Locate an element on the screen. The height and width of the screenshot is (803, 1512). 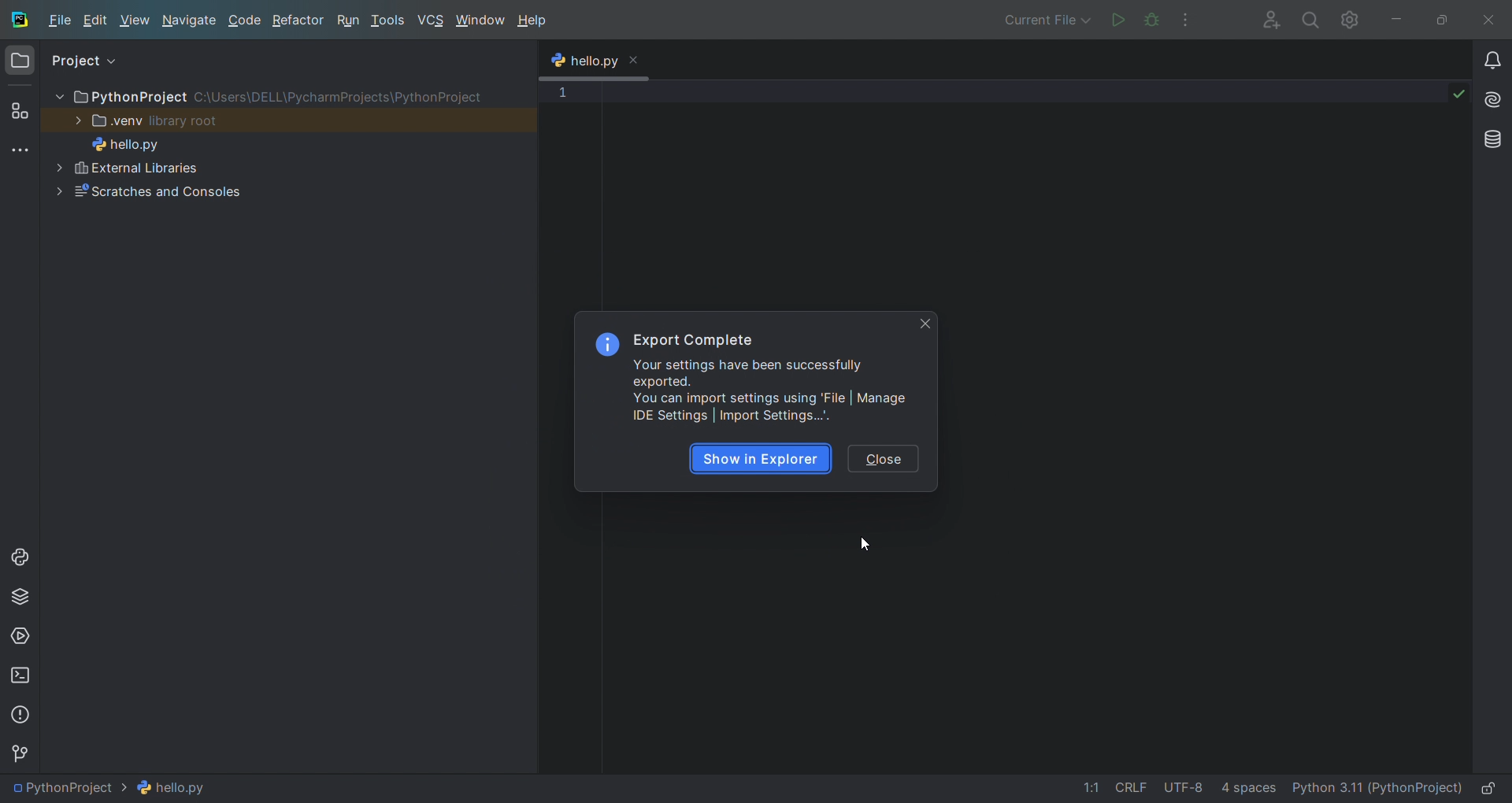
hello.py is located at coordinates (139, 142).